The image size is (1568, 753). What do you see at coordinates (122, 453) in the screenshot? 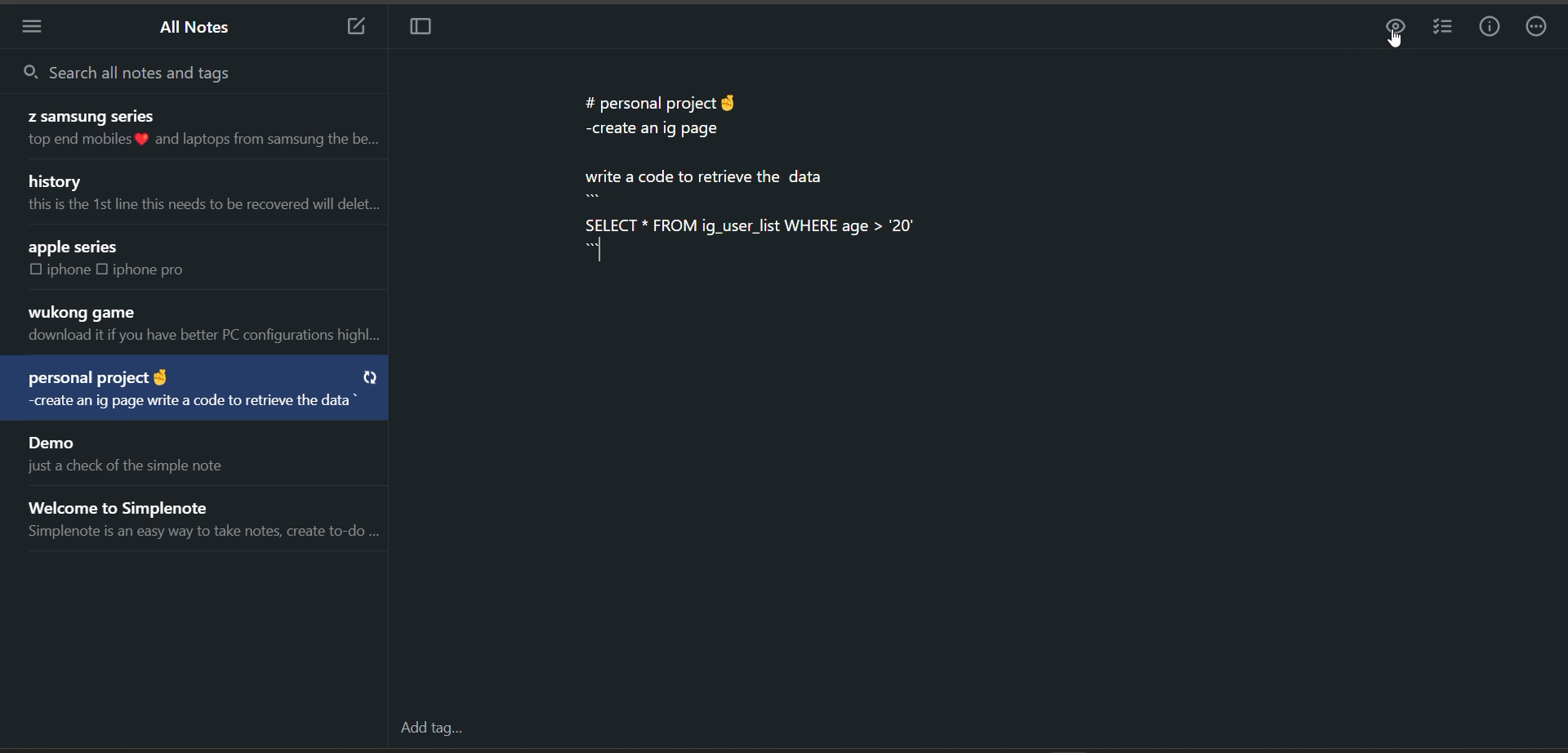
I see `note title  and preview` at bounding box center [122, 453].